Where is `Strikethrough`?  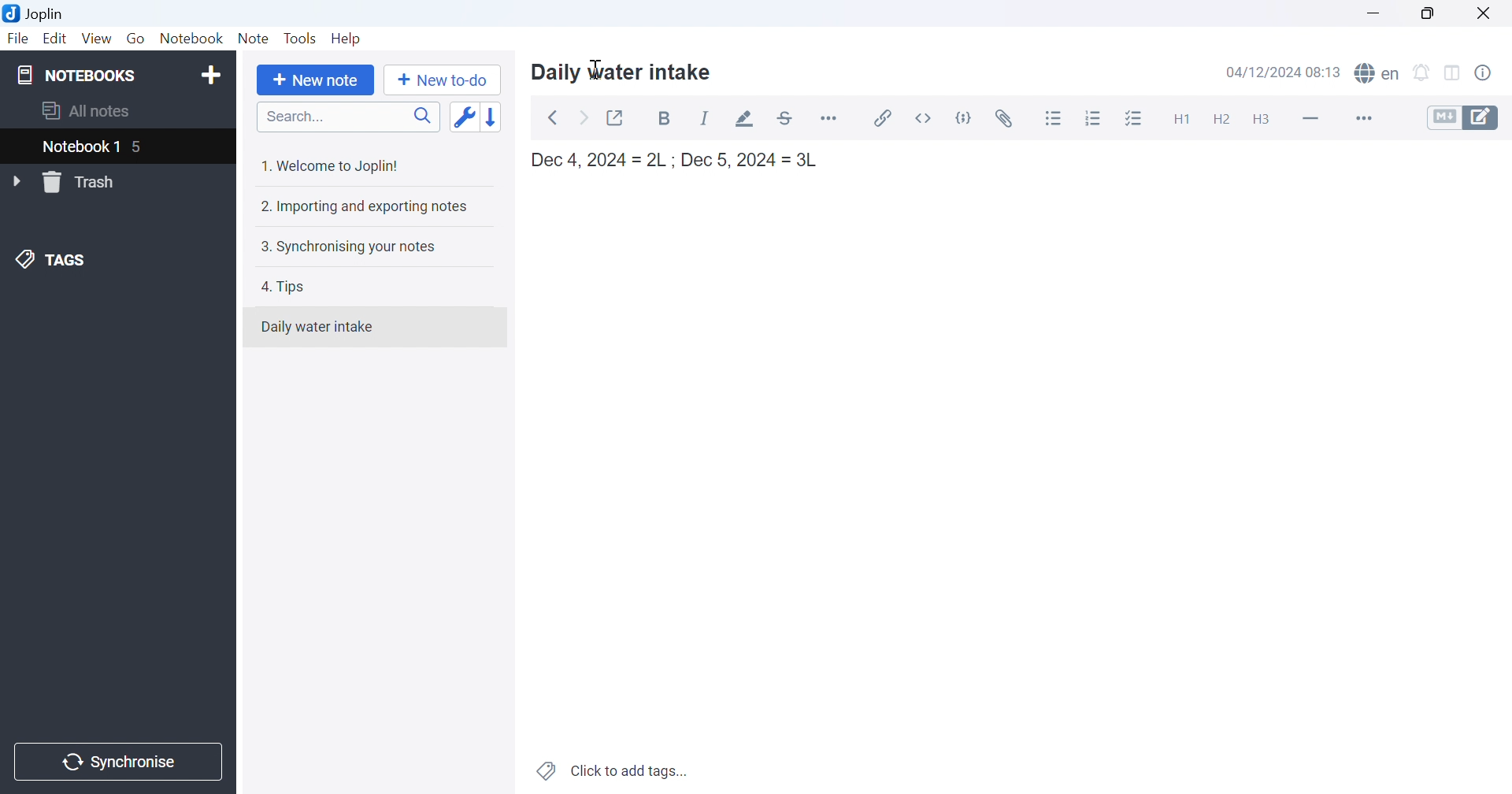 Strikethrough is located at coordinates (787, 118).